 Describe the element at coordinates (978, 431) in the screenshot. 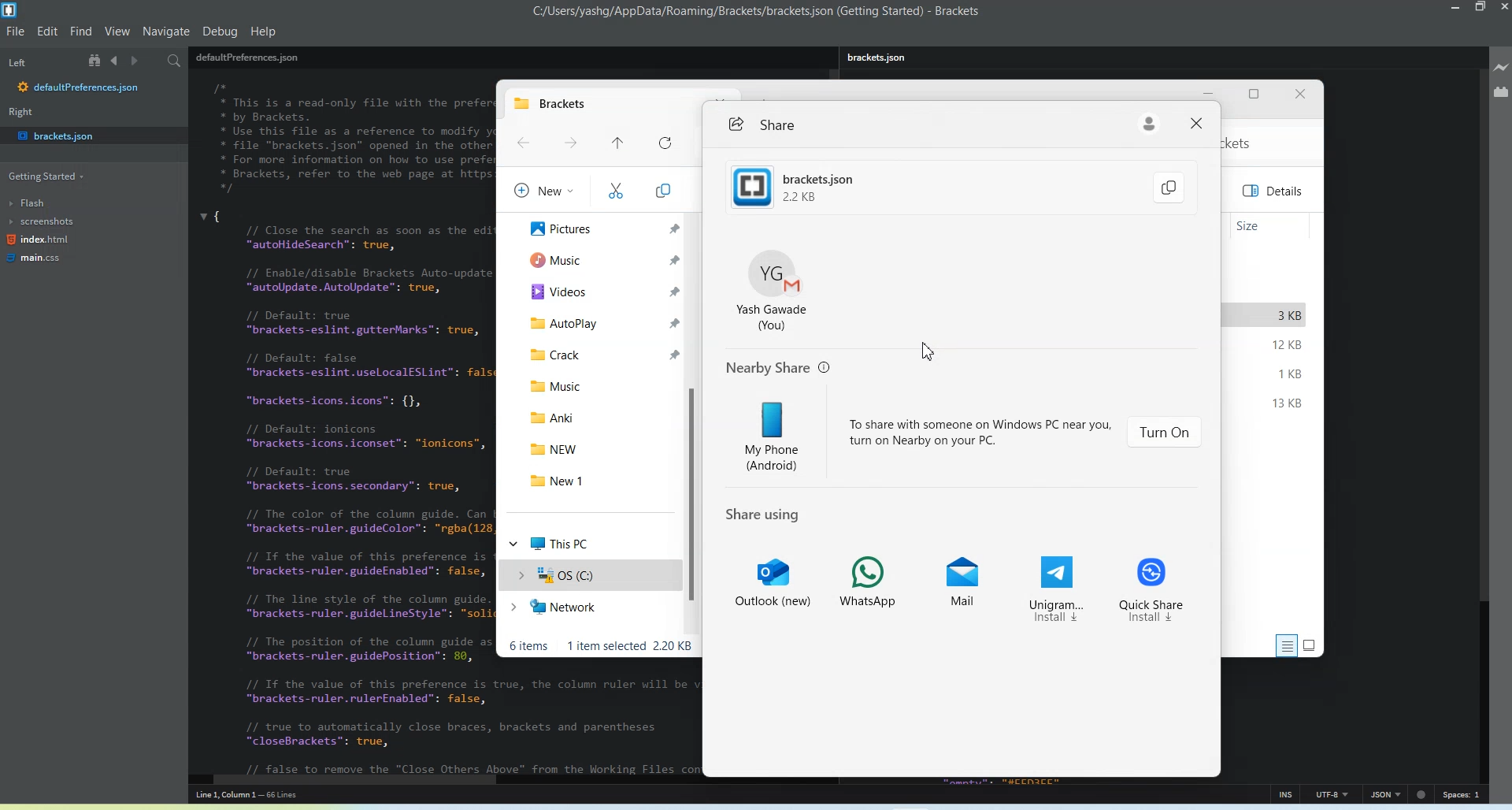

I see `to share with someone on windows pc near you turn on nearby on your pc` at that location.